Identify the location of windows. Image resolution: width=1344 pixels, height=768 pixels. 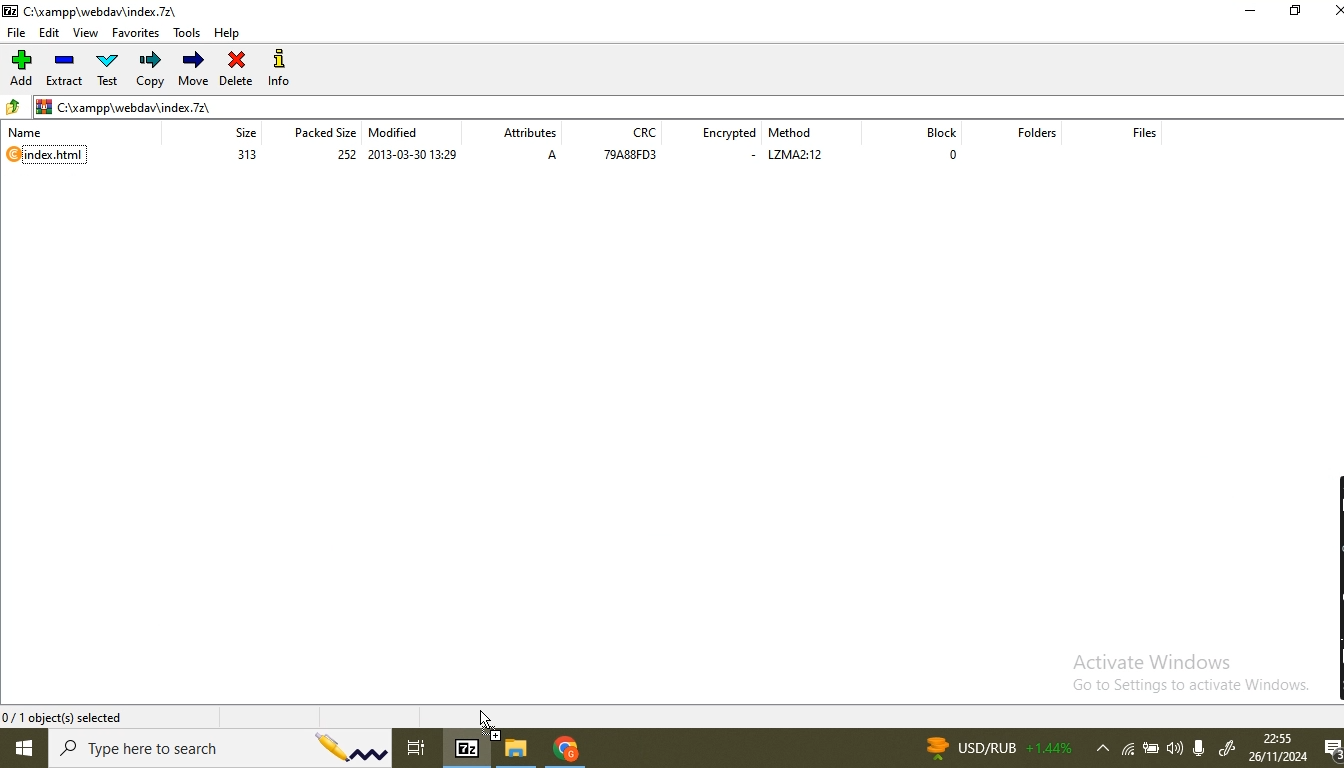
(25, 750).